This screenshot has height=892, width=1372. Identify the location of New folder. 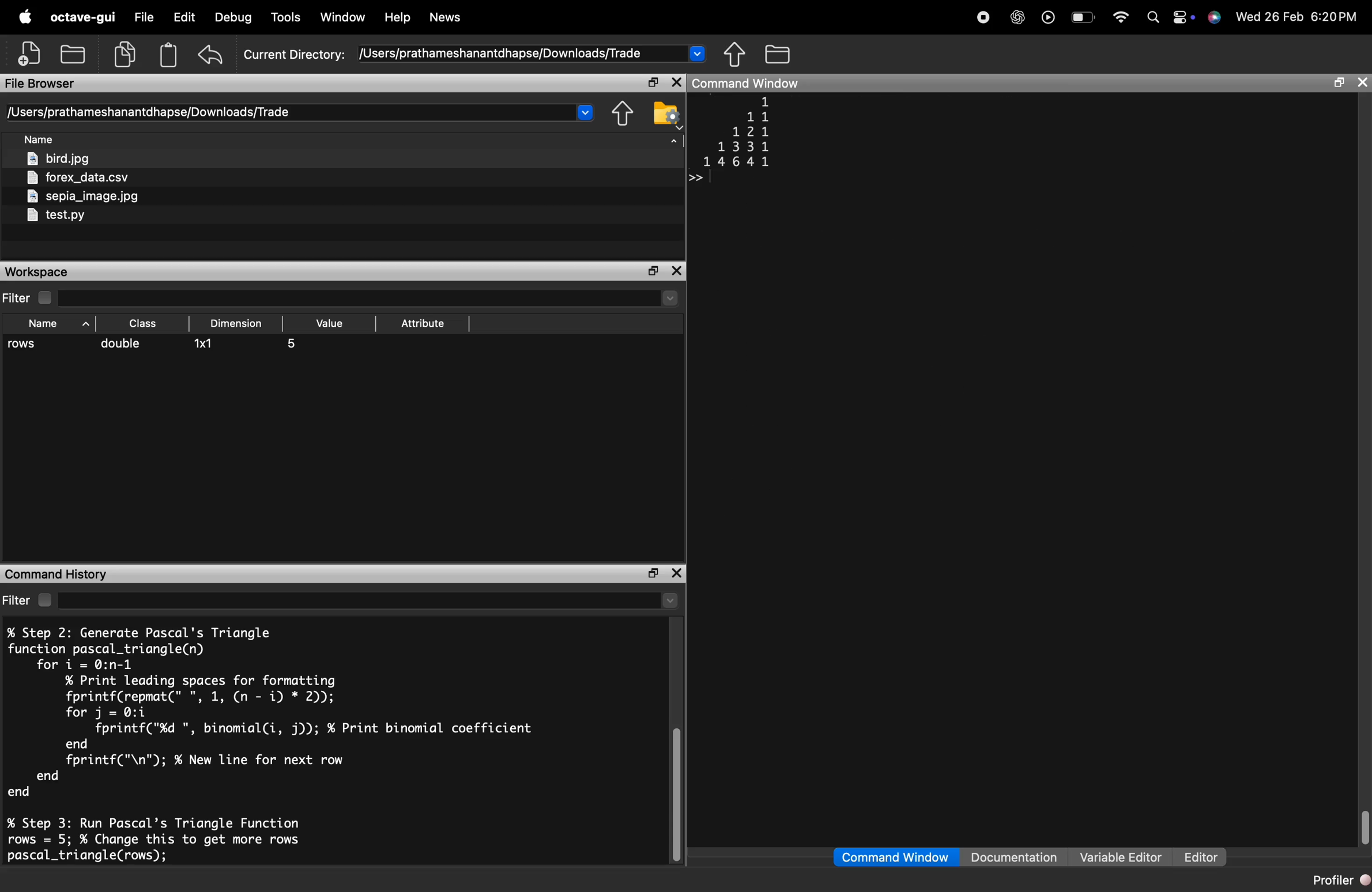
(72, 53).